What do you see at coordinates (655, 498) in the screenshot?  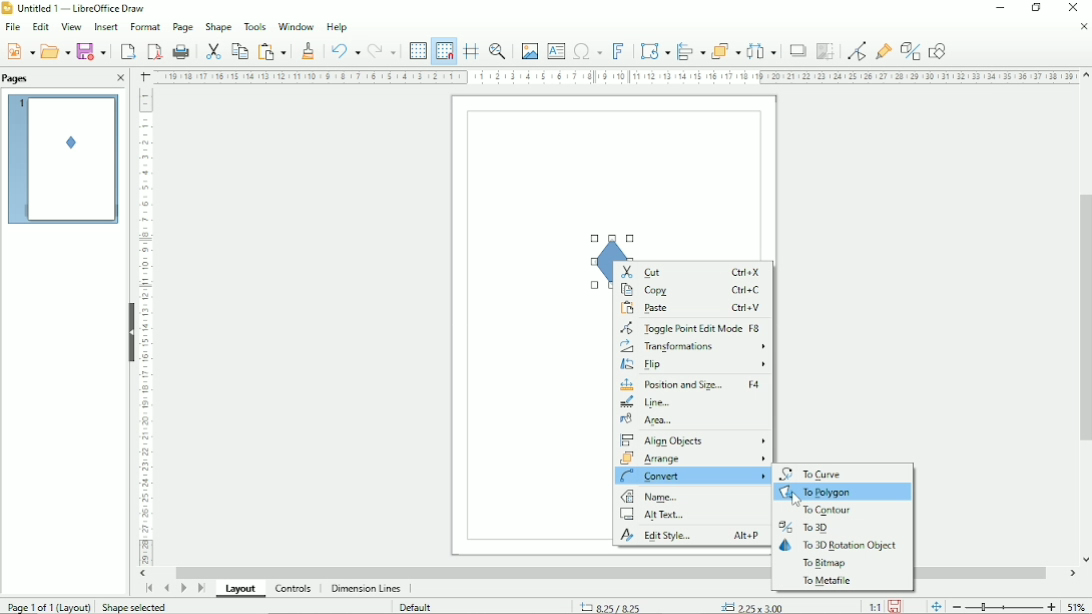 I see `Name` at bounding box center [655, 498].